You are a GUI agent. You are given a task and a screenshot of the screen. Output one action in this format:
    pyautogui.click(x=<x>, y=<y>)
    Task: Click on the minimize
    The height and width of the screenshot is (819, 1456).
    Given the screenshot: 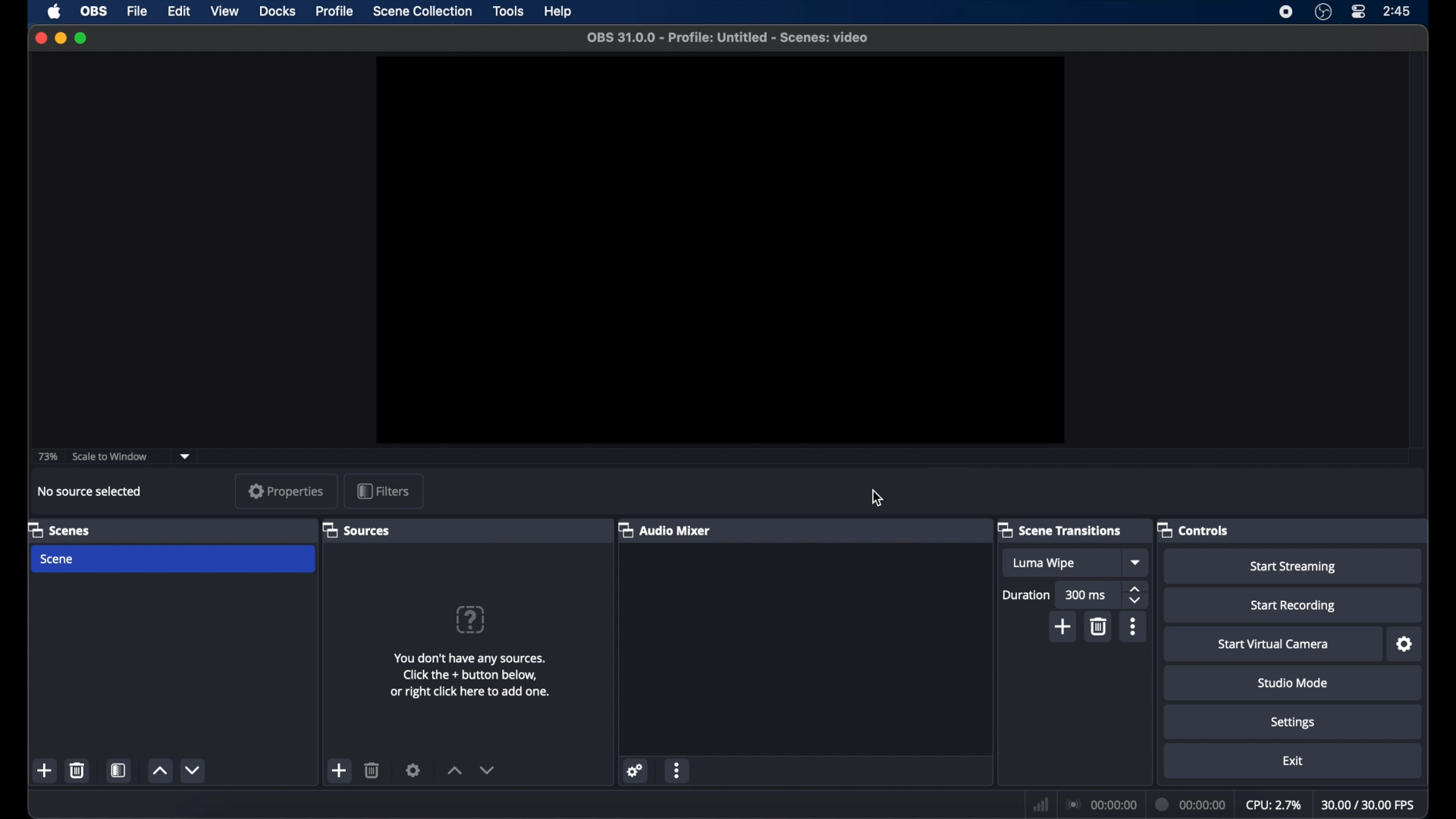 What is the action you would take?
    pyautogui.click(x=61, y=39)
    